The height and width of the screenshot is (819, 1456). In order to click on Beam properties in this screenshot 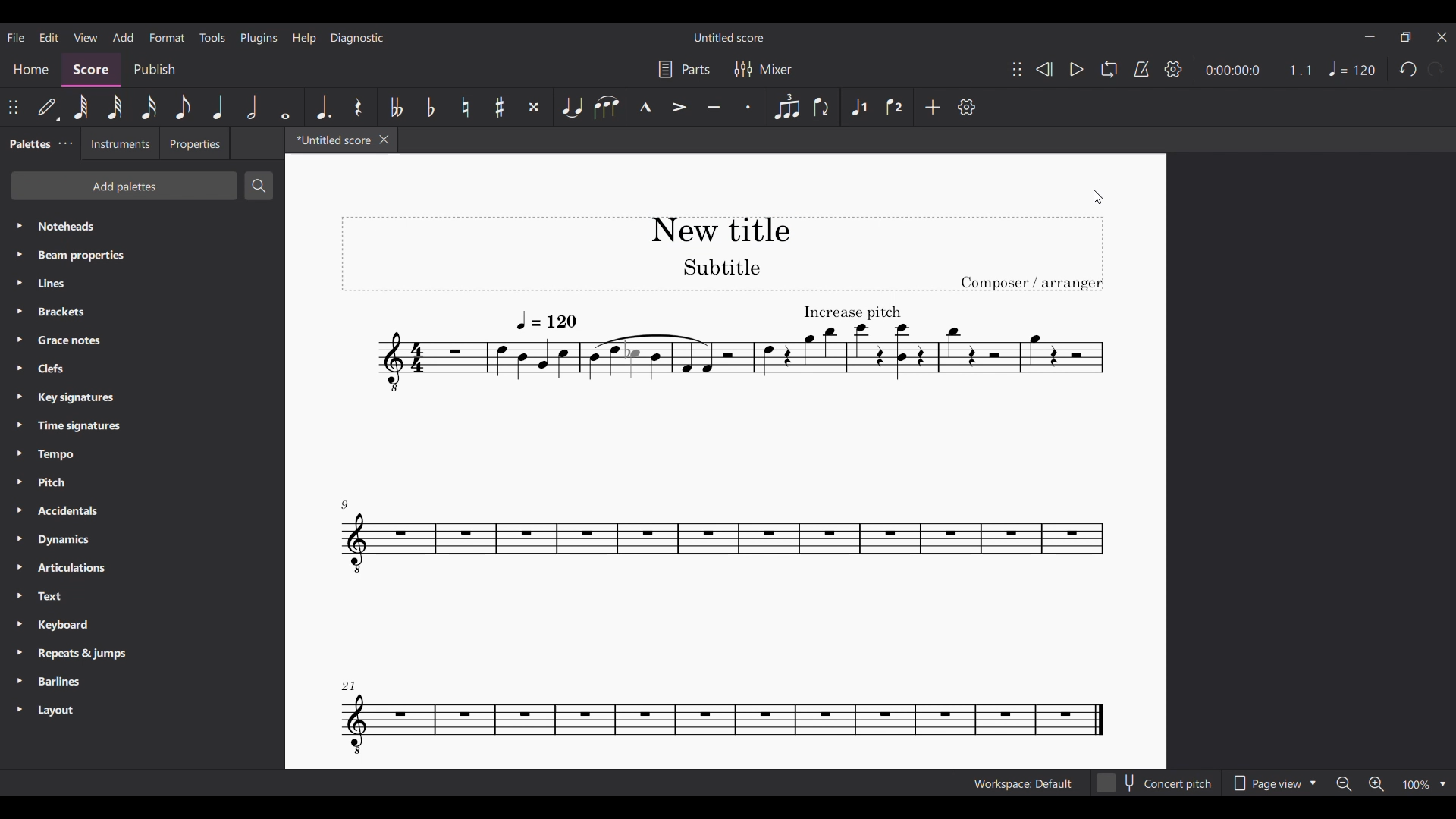, I will do `click(142, 255)`.